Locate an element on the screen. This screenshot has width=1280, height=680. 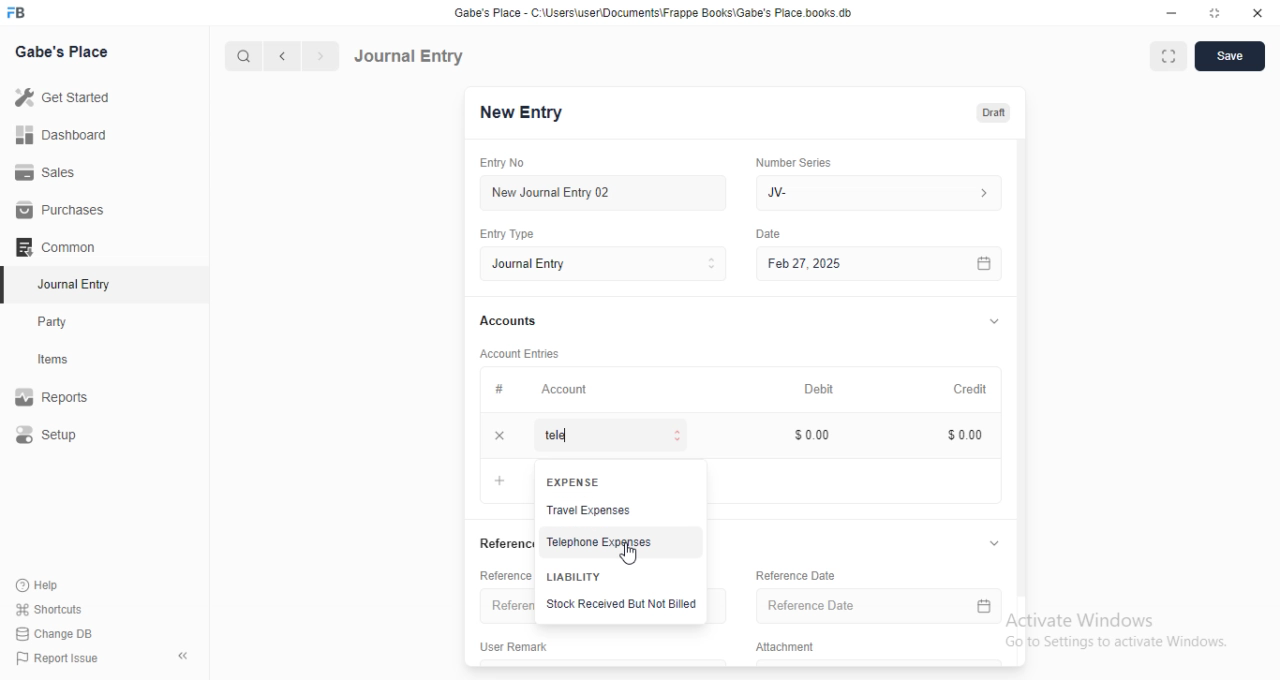
References is located at coordinates (499, 544).